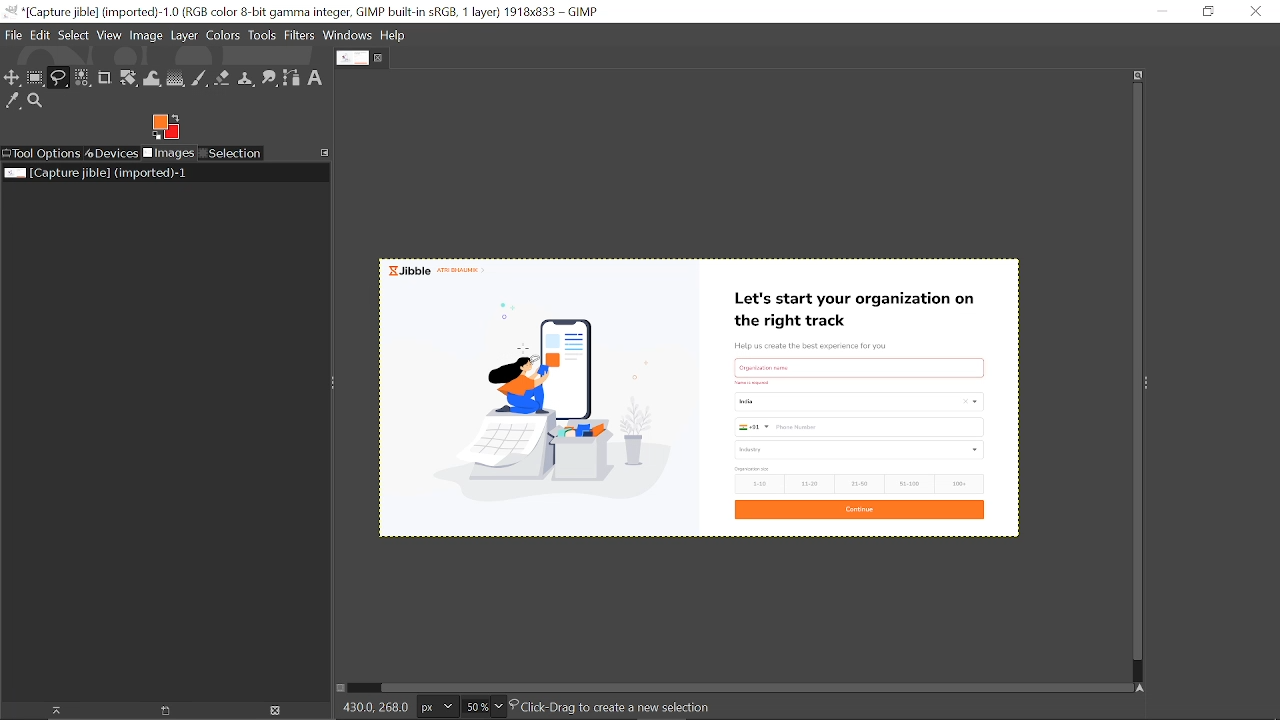 The width and height of the screenshot is (1280, 720). I want to click on Color picker tool, so click(13, 102).